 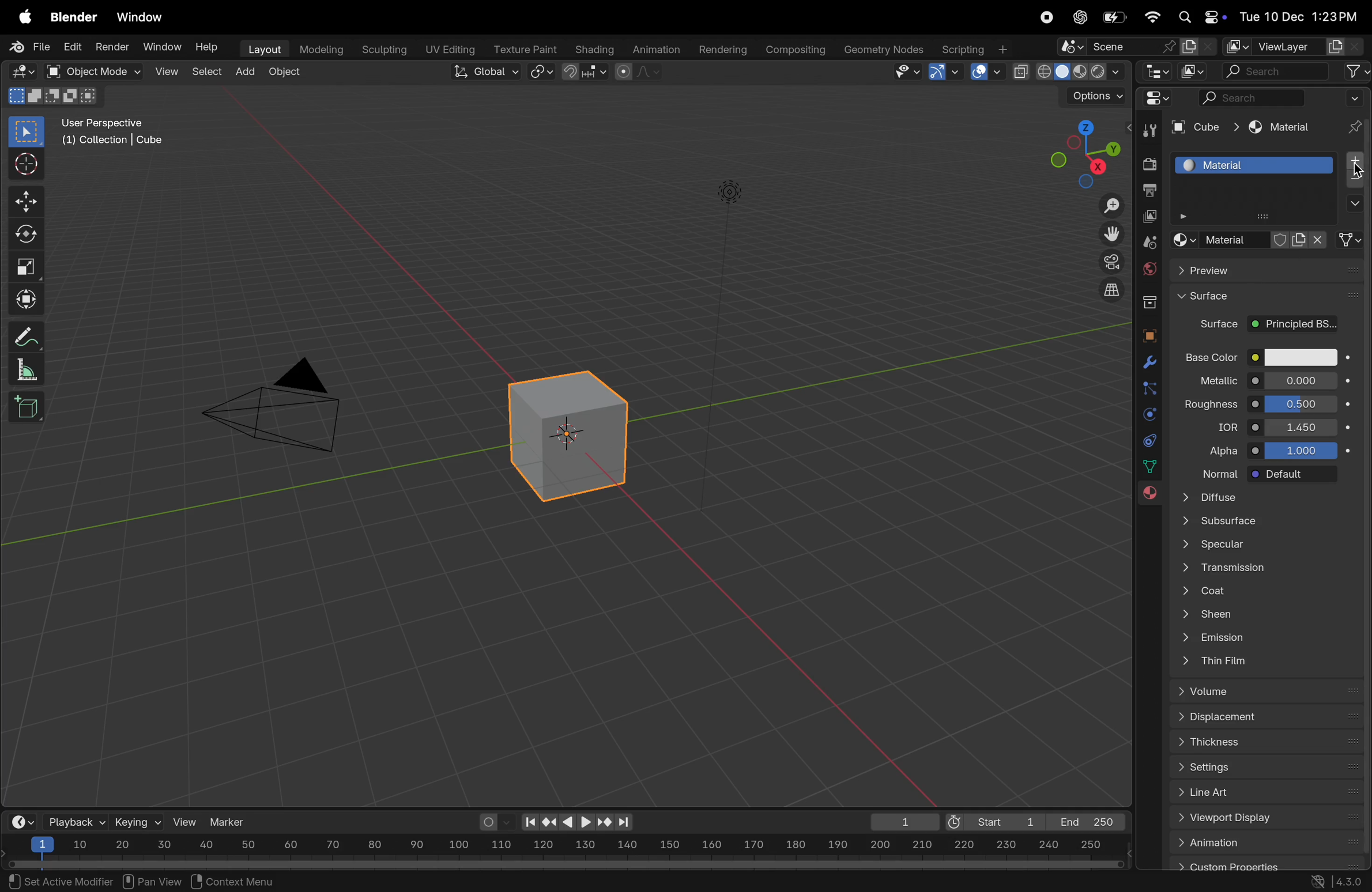 I want to click on move, so click(x=25, y=202).